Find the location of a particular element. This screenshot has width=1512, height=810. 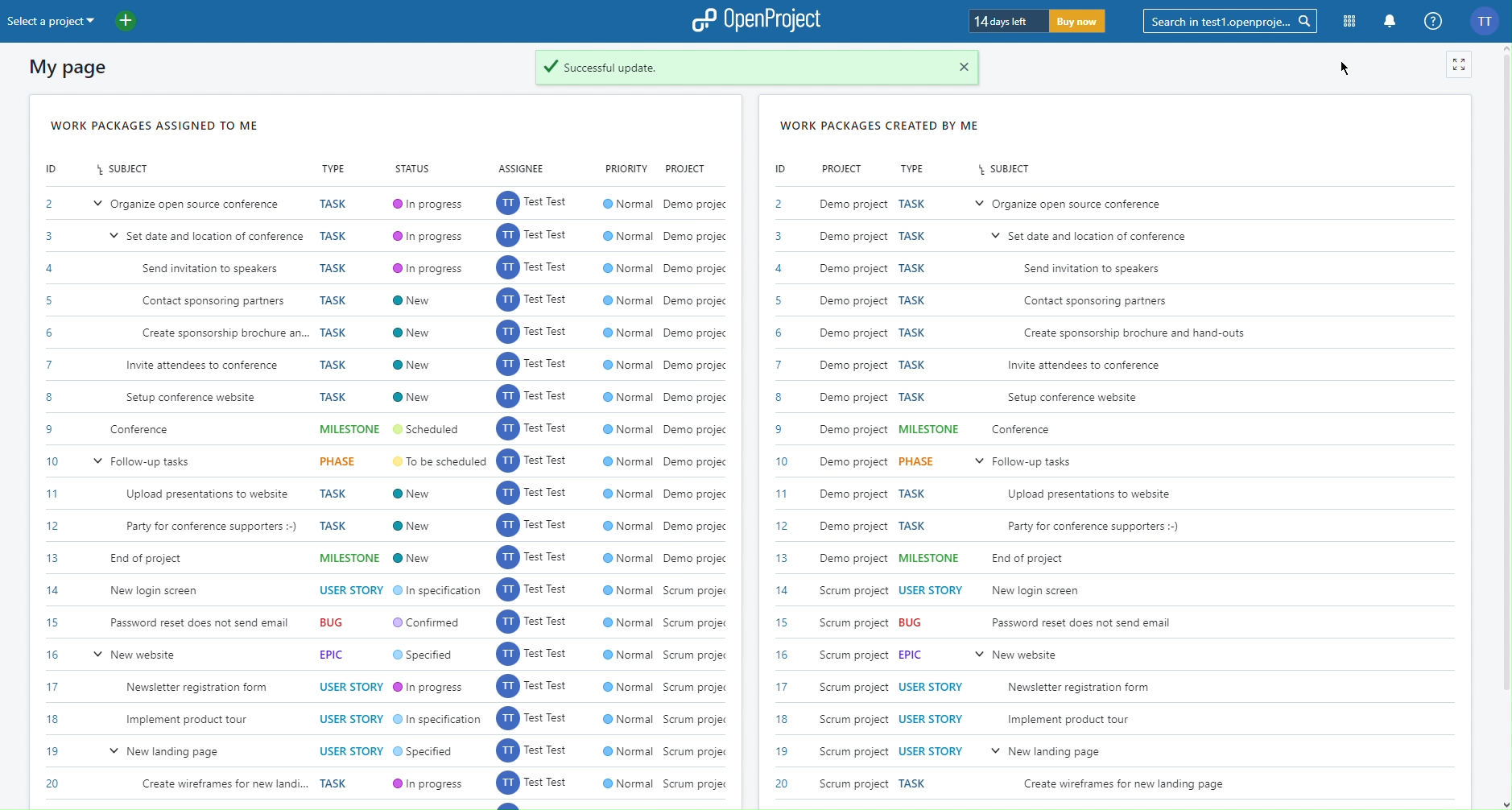

Work Packages Assigned to Me is located at coordinates (155, 125).